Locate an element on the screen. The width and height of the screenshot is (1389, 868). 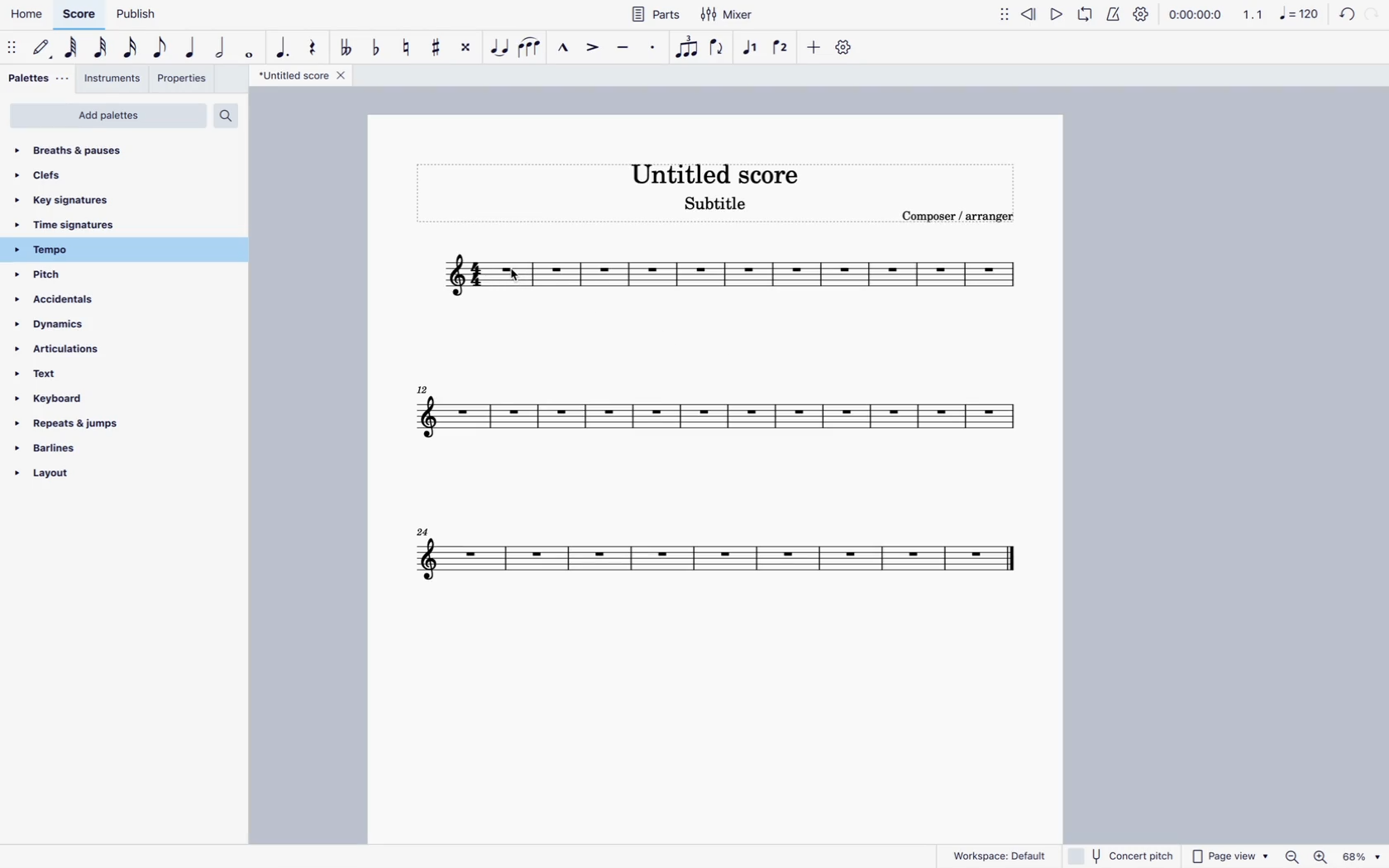
workspace is located at coordinates (999, 853).